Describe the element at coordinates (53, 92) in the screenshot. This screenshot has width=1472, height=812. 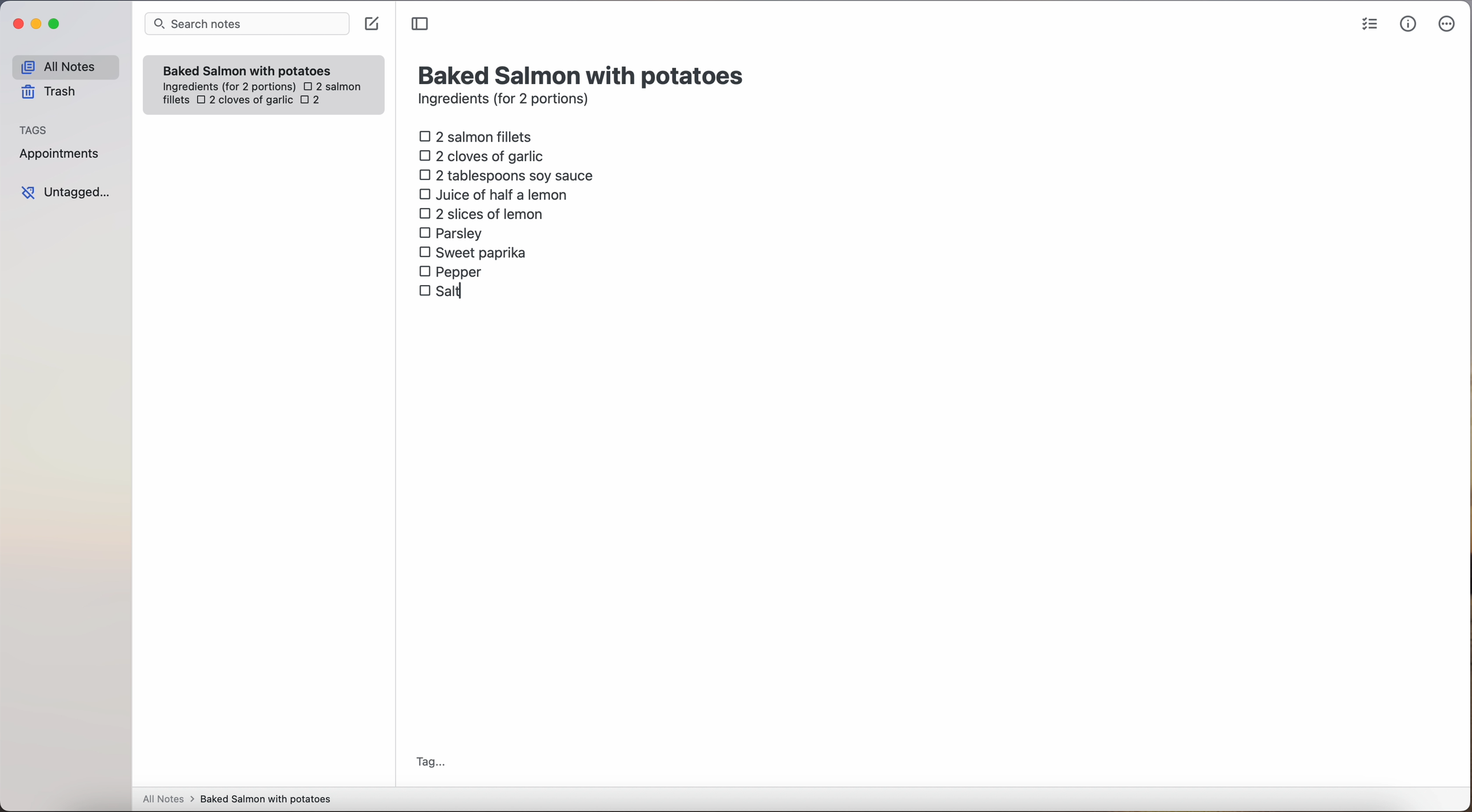
I see `trash` at that location.